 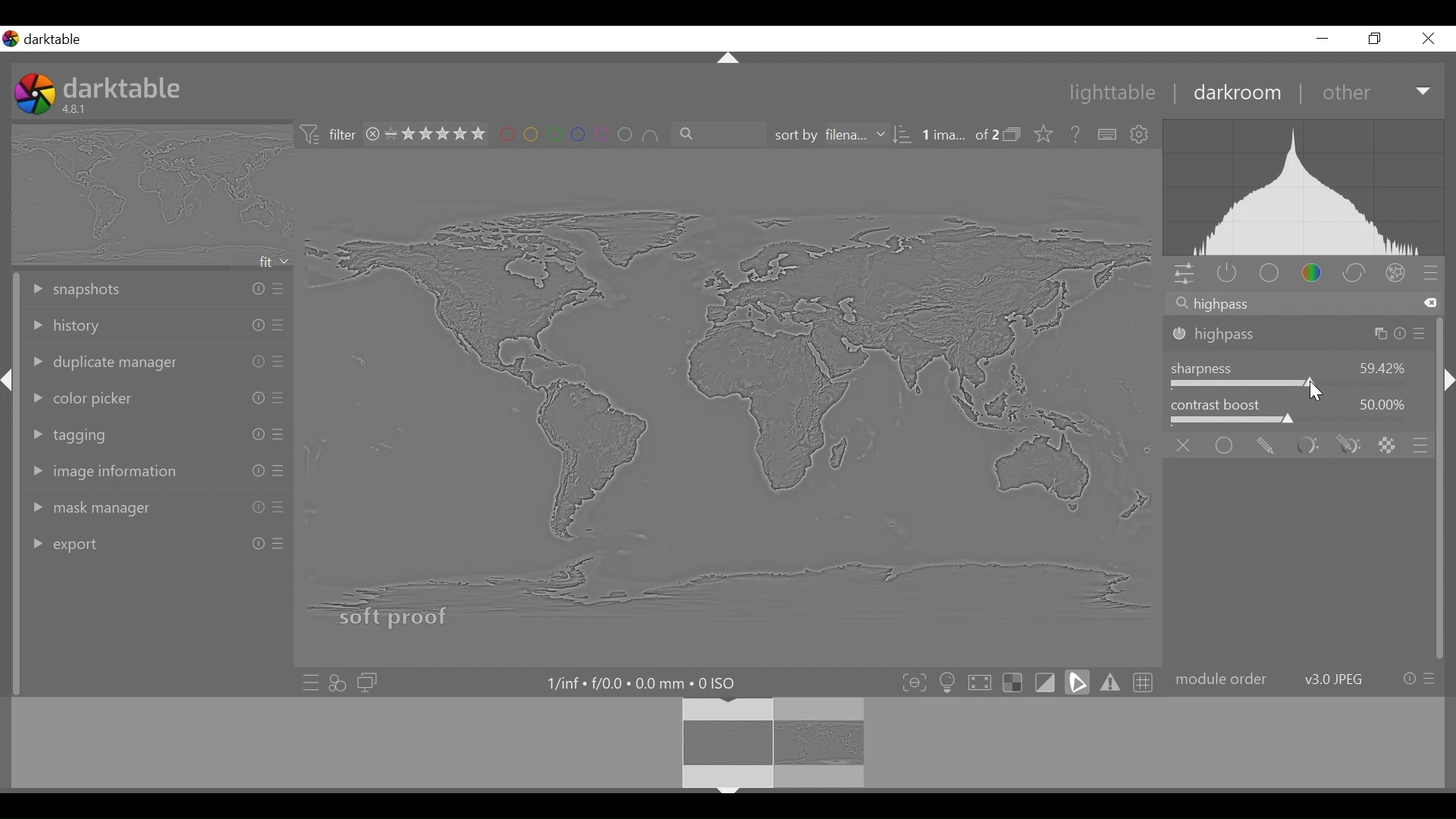 I want to click on sharpness, so click(x=1300, y=385).